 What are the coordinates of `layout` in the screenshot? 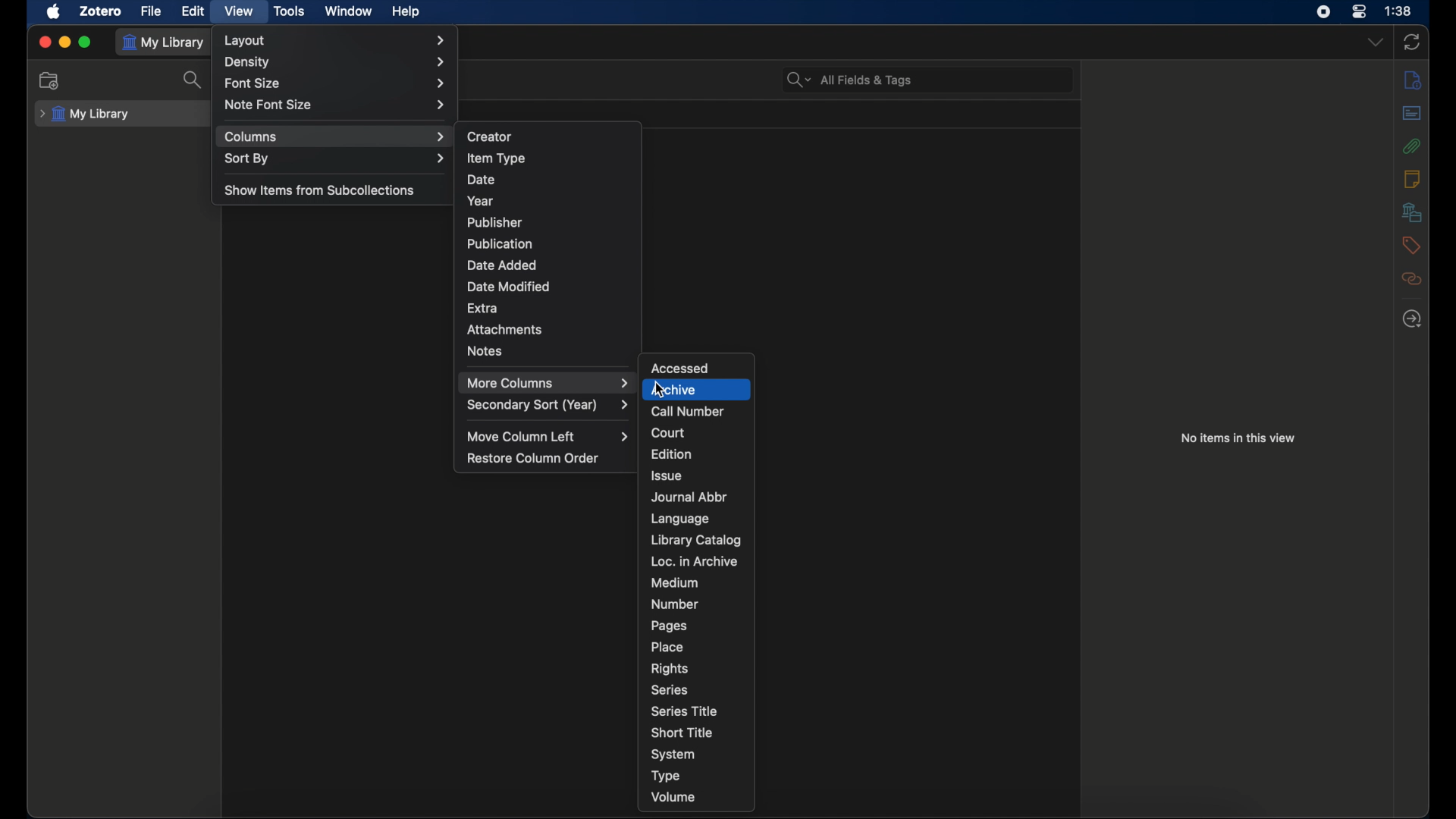 It's located at (335, 40).